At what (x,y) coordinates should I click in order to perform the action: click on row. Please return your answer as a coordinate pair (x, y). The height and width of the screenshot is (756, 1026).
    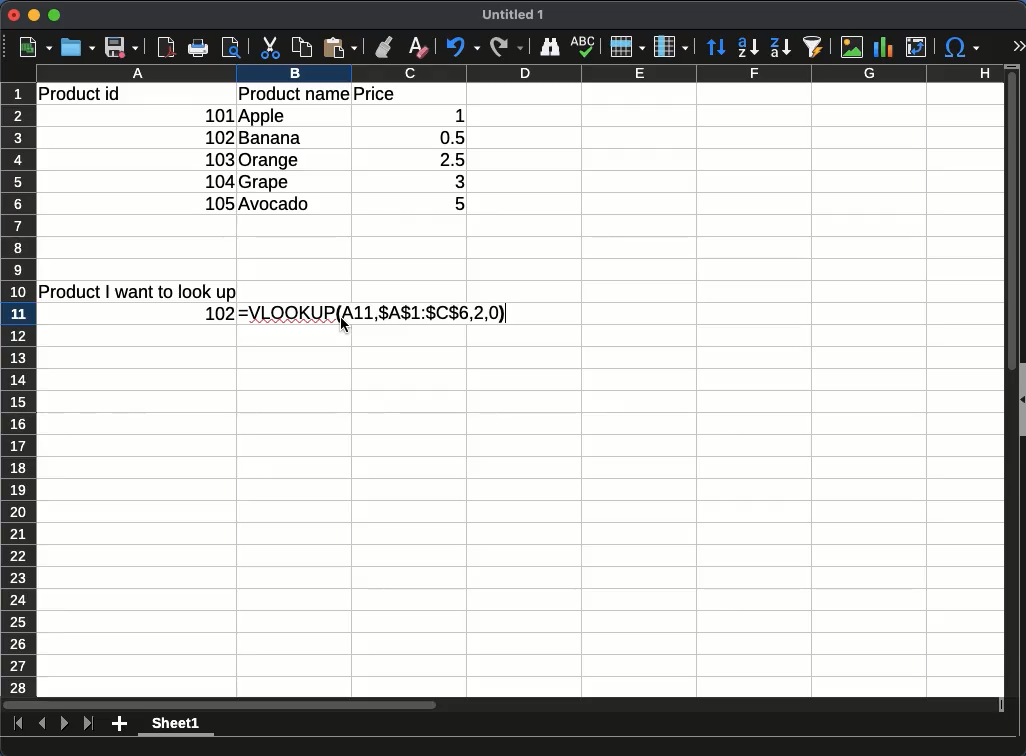
    Looking at the image, I should click on (18, 390).